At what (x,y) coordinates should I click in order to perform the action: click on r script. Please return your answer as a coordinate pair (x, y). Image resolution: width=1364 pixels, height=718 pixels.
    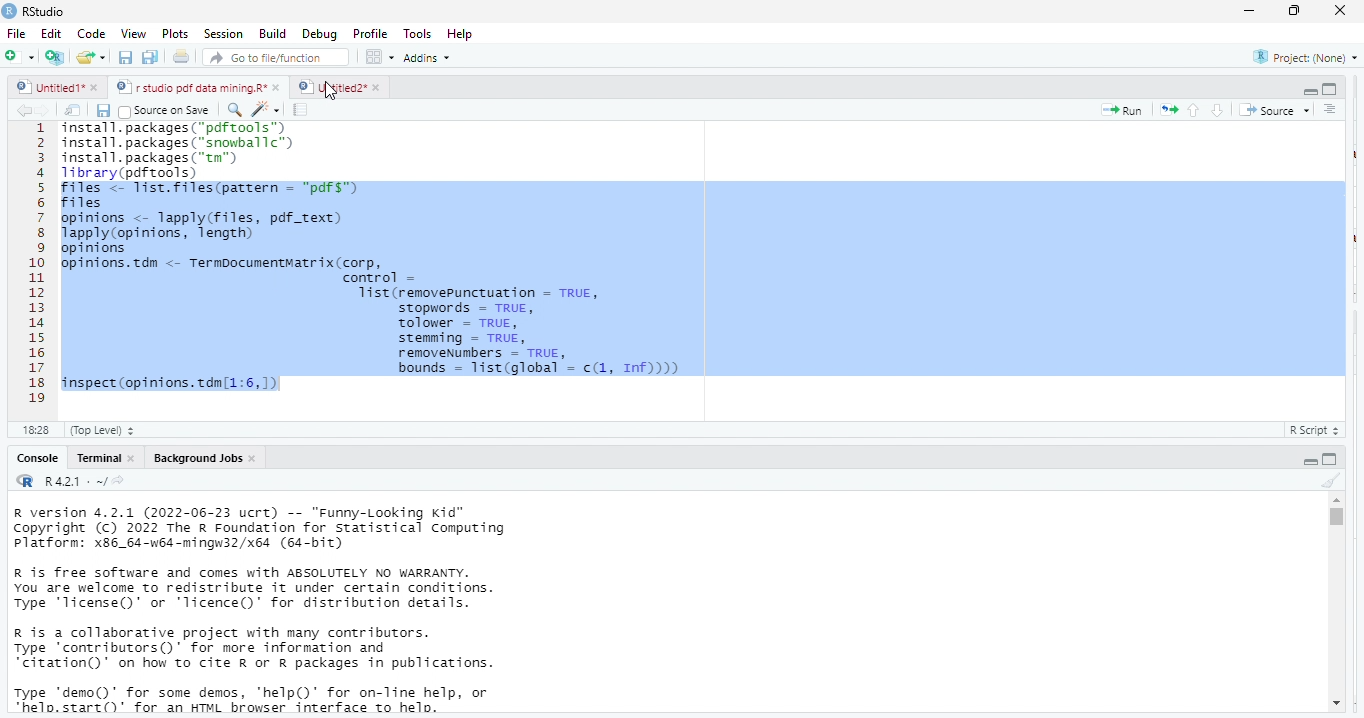
    Looking at the image, I should click on (1319, 430).